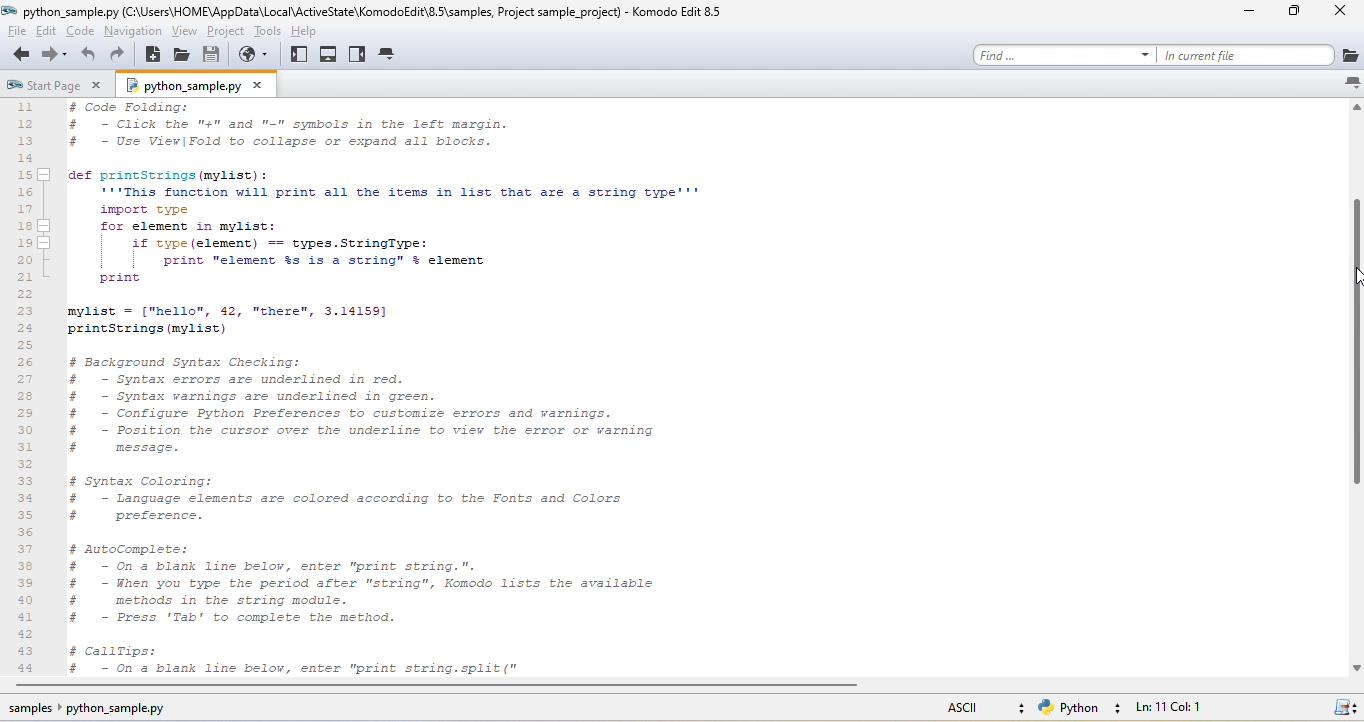 Image resolution: width=1364 pixels, height=722 pixels. Describe the element at coordinates (268, 31) in the screenshot. I see `tools` at that location.